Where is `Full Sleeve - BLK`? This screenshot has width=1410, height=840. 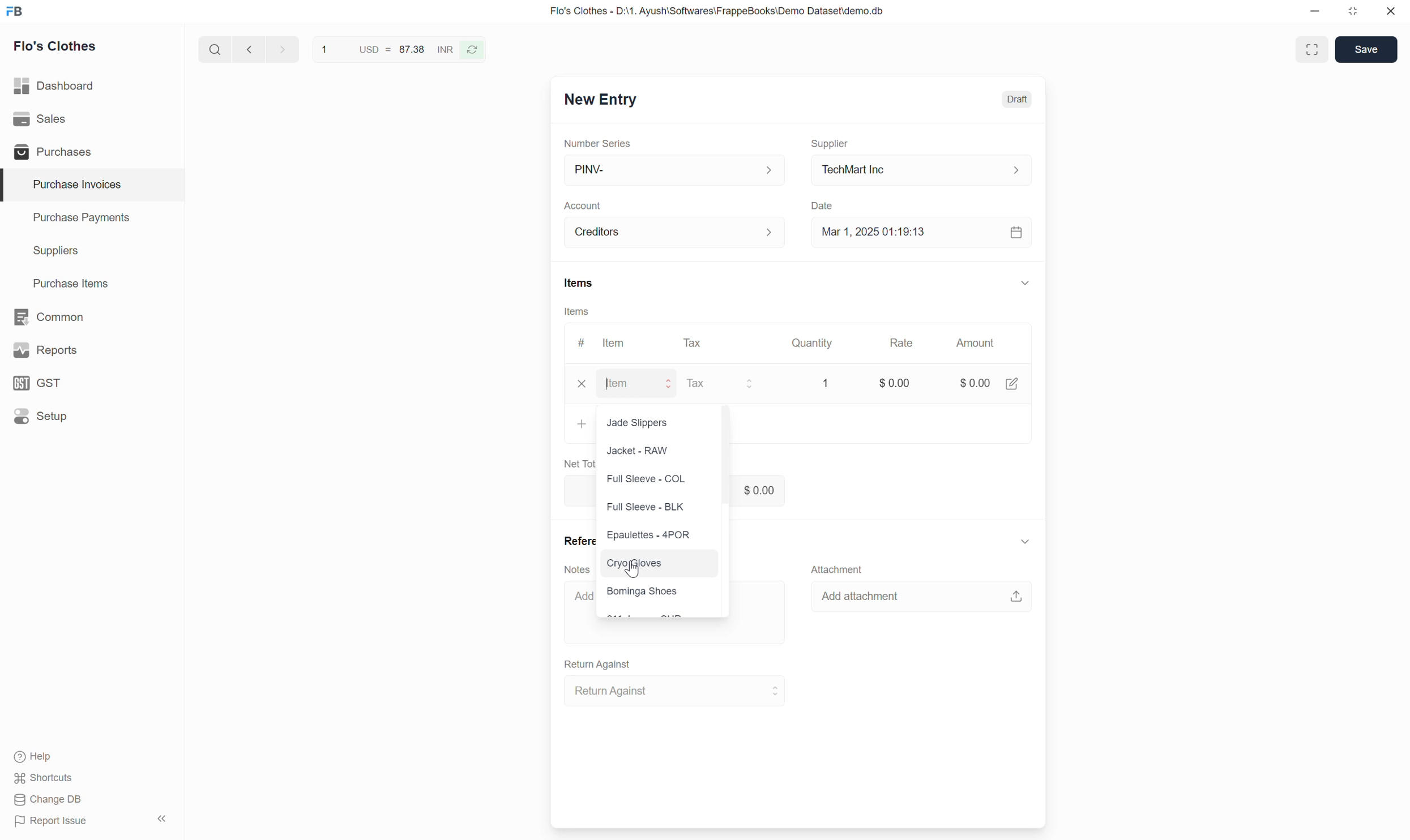
Full Sleeve - BLK is located at coordinates (646, 507).